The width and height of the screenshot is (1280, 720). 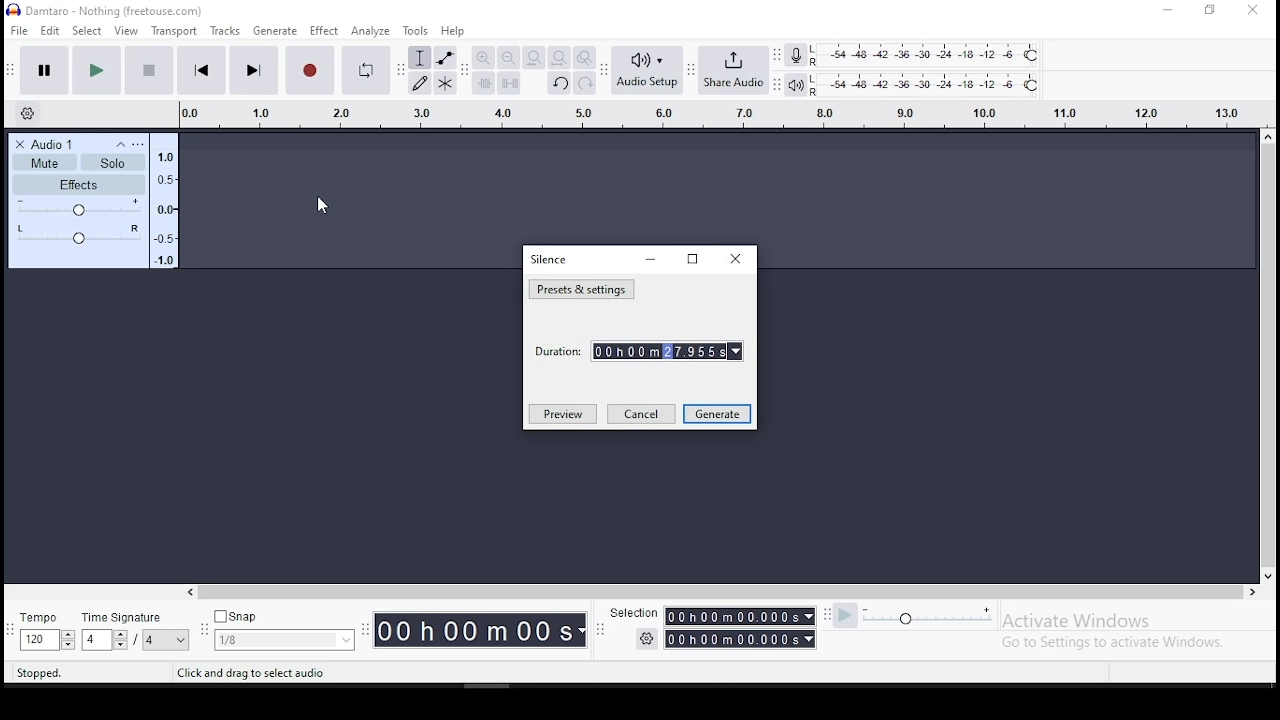 What do you see at coordinates (325, 31) in the screenshot?
I see `effect` at bounding box center [325, 31].